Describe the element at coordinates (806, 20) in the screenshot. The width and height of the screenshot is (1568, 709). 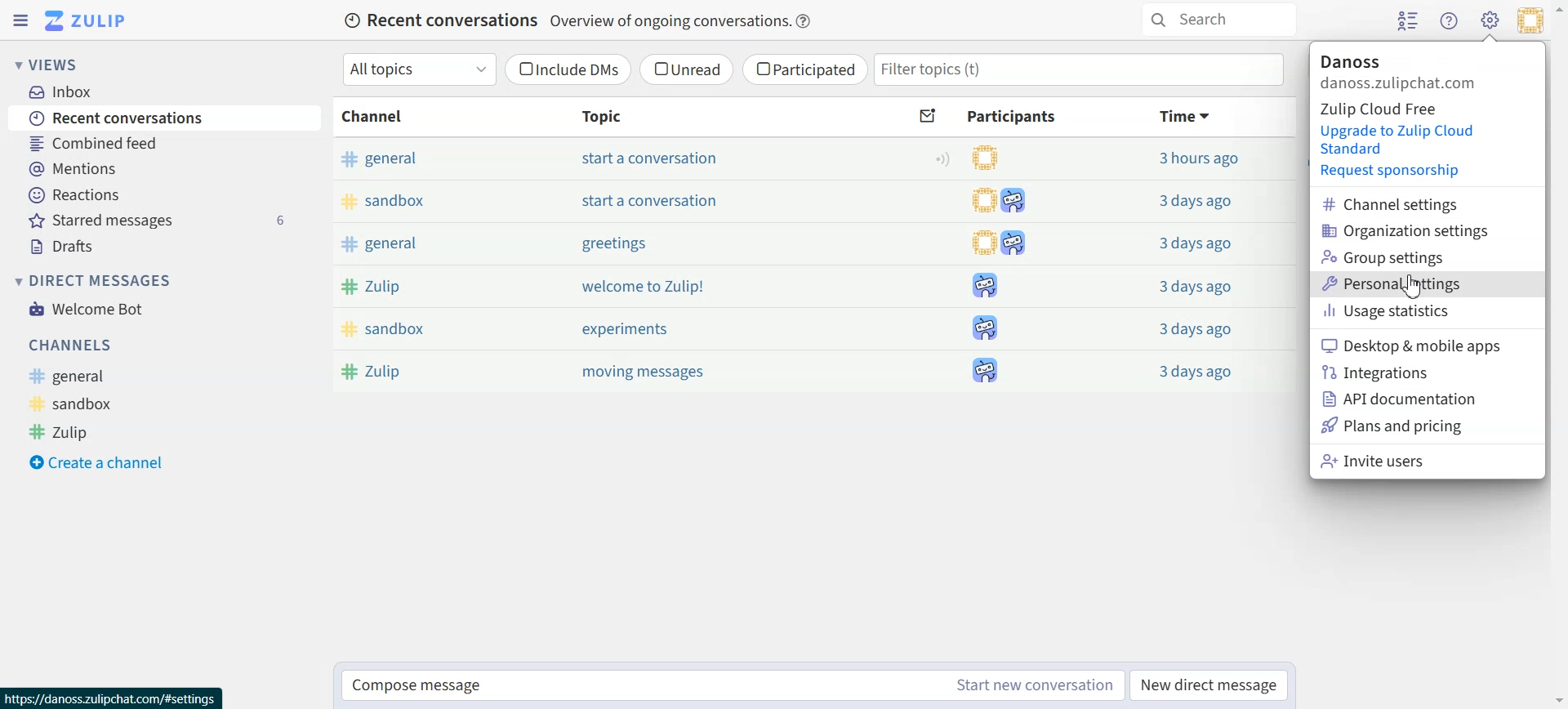
I see `Info` at that location.